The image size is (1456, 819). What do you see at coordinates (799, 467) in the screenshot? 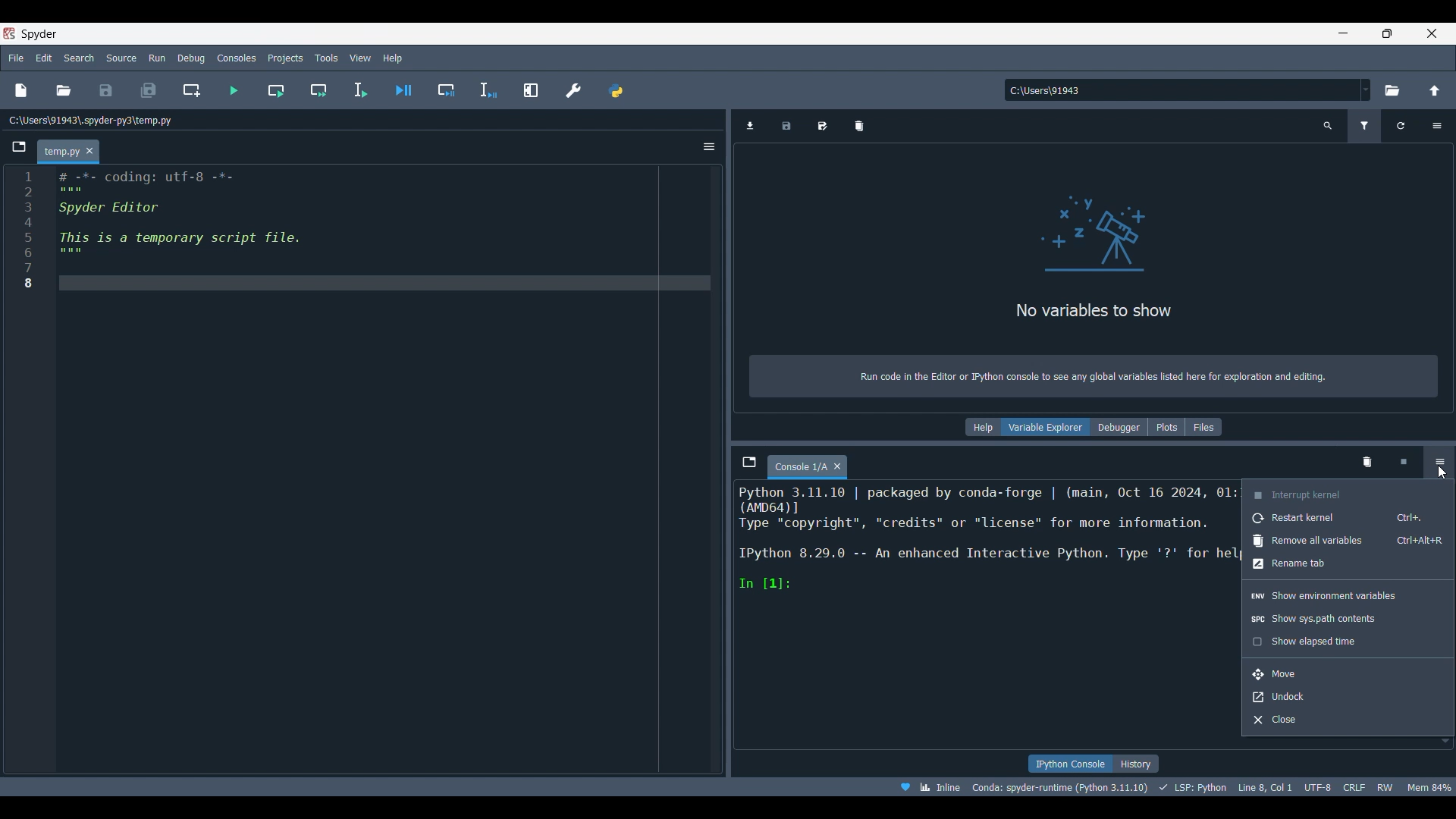
I see `Current tab` at bounding box center [799, 467].